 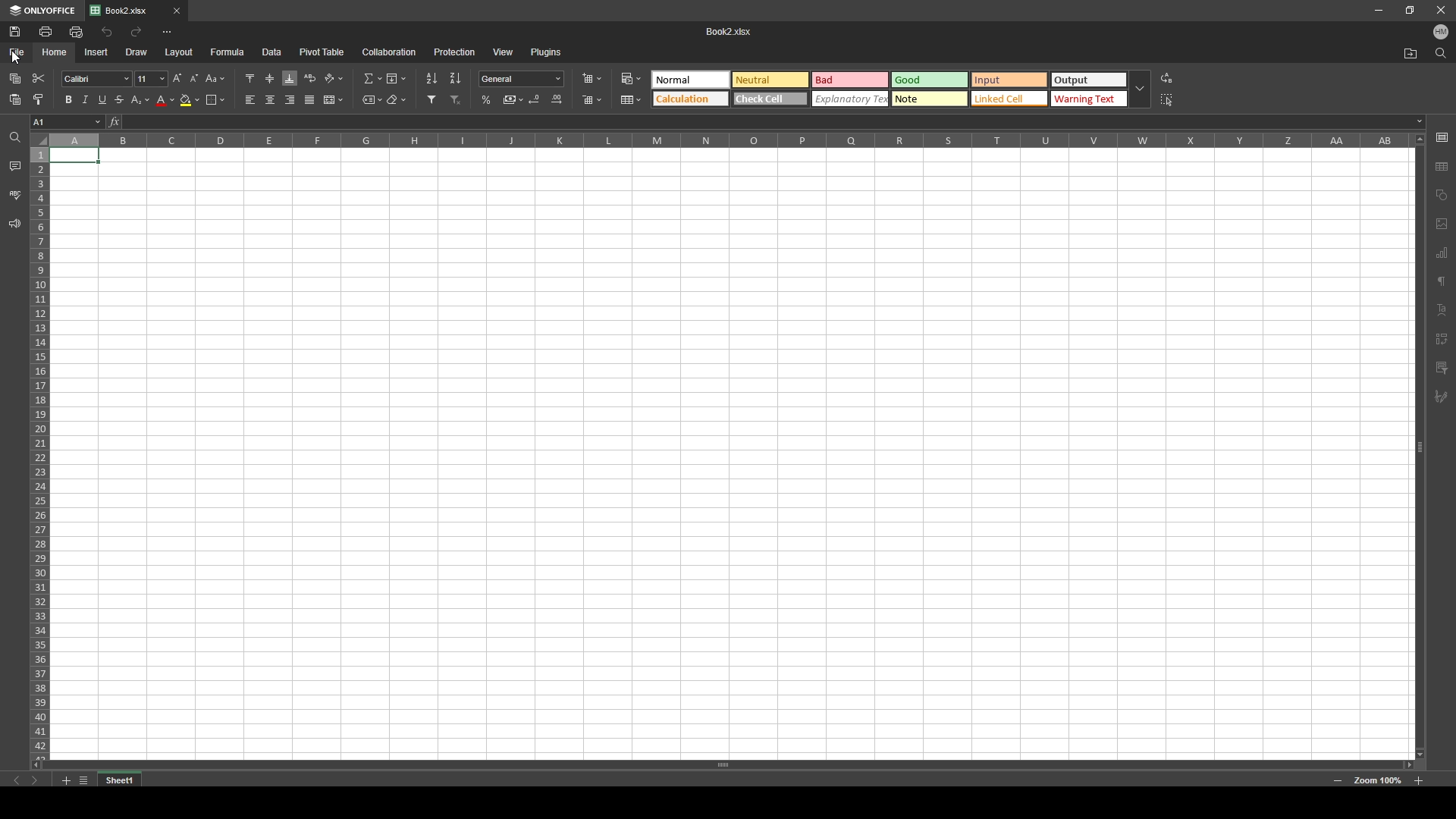 I want to click on strikethrough, so click(x=119, y=99).